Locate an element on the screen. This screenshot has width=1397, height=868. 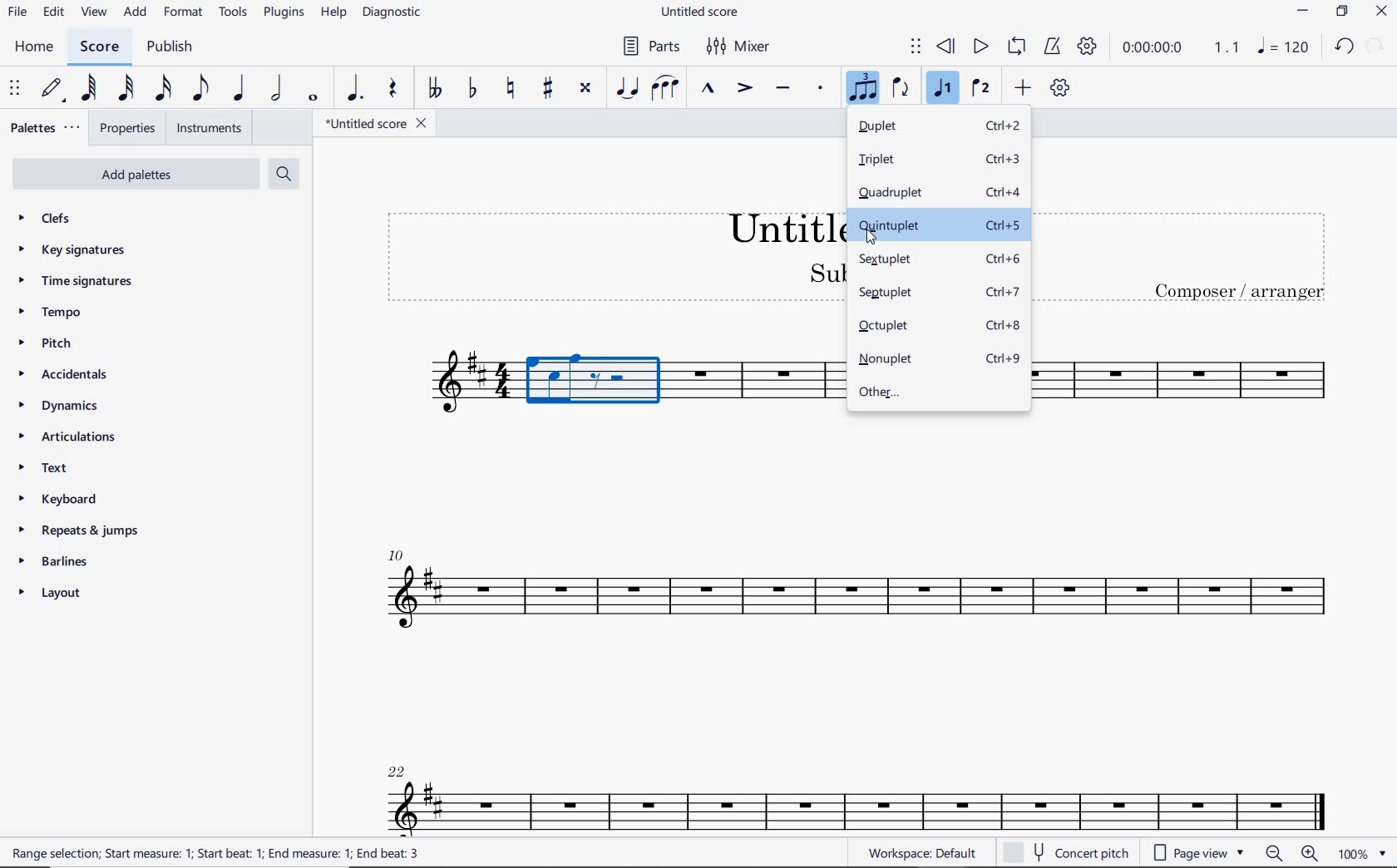
CLOSE is located at coordinates (1380, 13).